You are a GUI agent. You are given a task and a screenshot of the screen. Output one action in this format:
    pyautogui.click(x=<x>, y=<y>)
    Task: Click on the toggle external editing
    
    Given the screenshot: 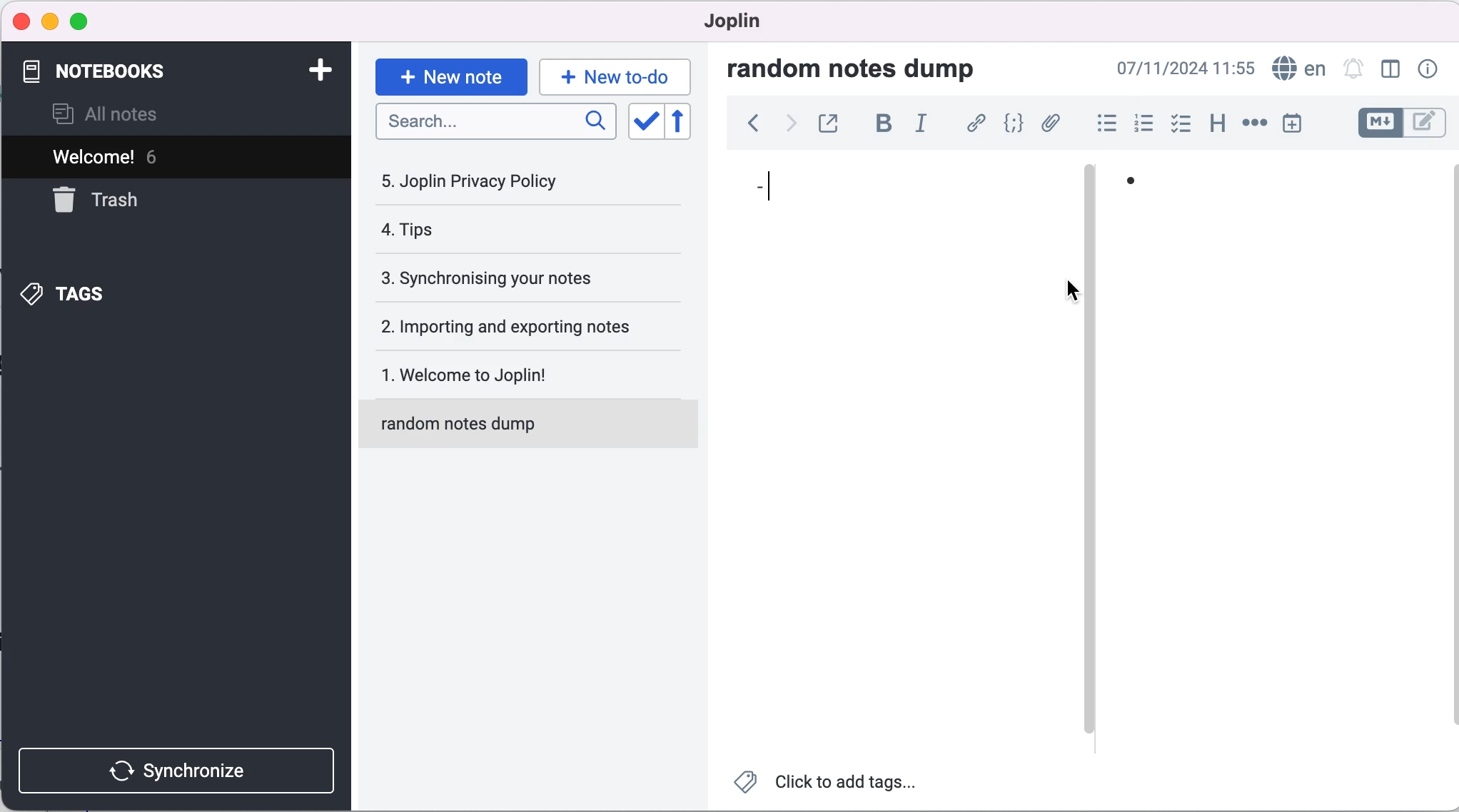 What is the action you would take?
    pyautogui.click(x=828, y=125)
    